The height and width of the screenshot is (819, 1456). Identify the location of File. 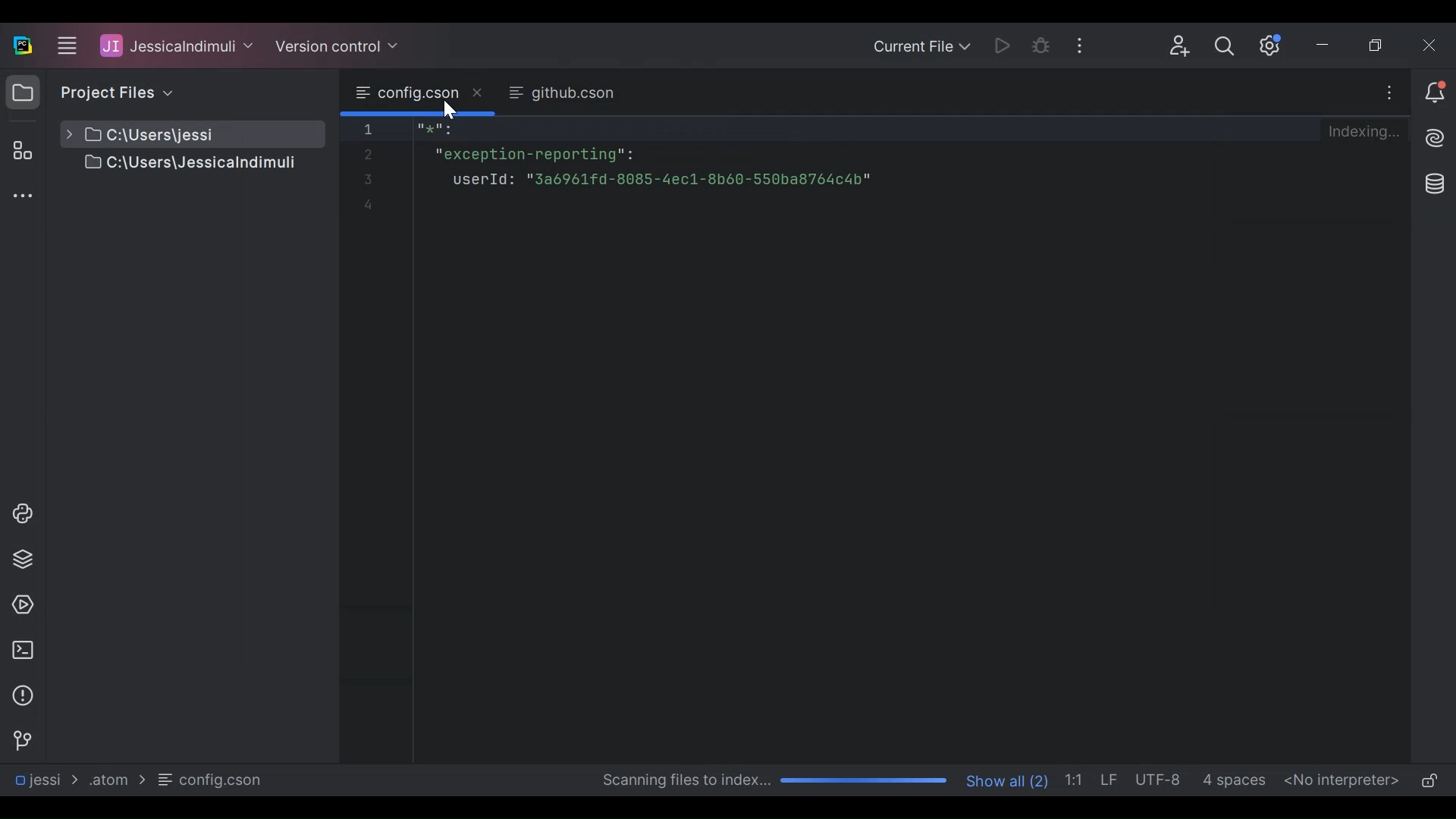
(212, 780).